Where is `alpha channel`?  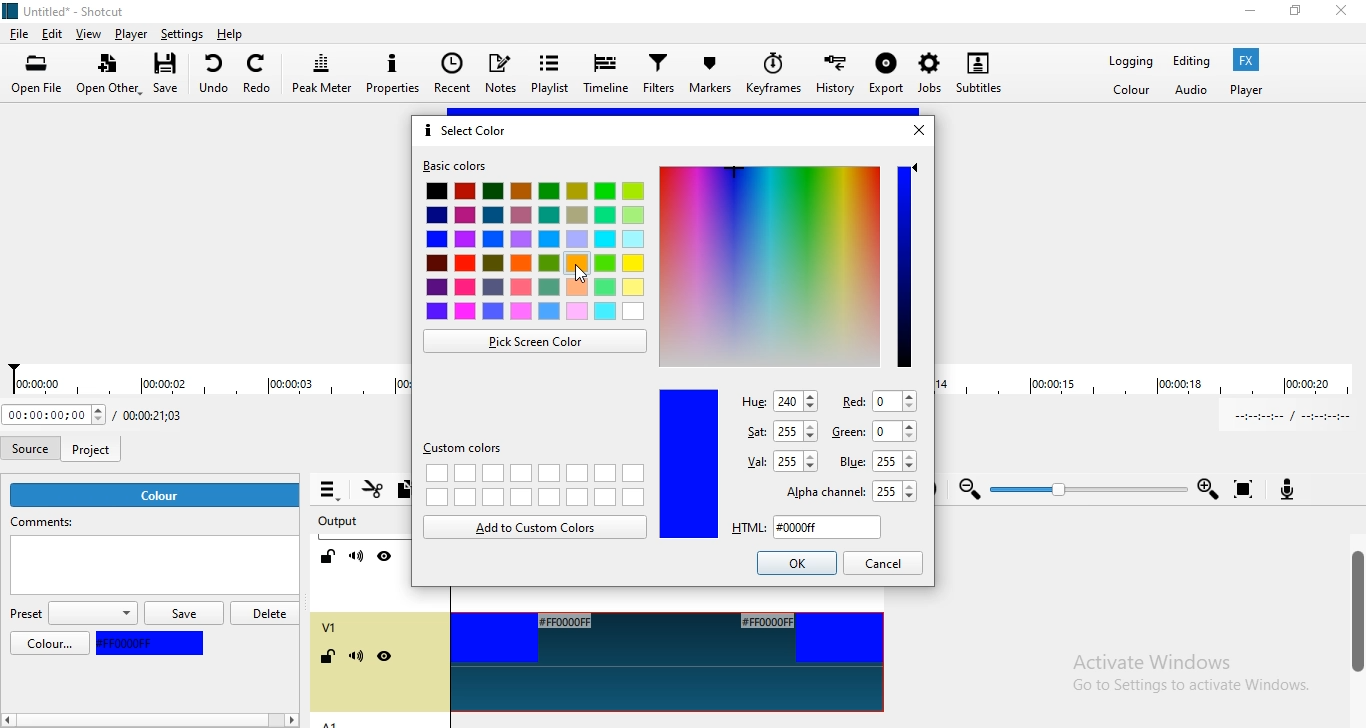
alpha channel is located at coordinates (842, 490).